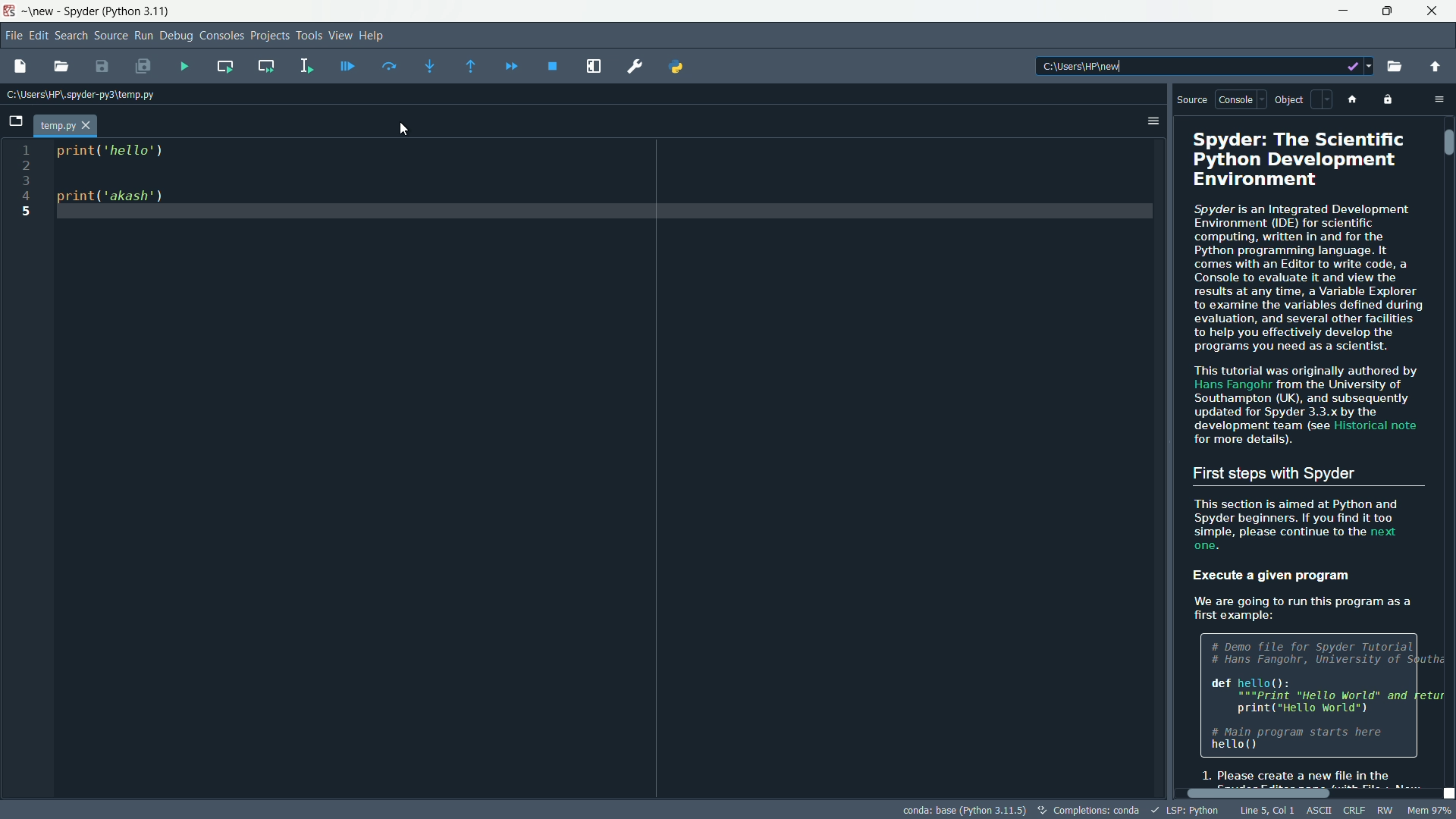  What do you see at coordinates (404, 130) in the screenshot?
I see `cursor` at bounding box center [404, 130].